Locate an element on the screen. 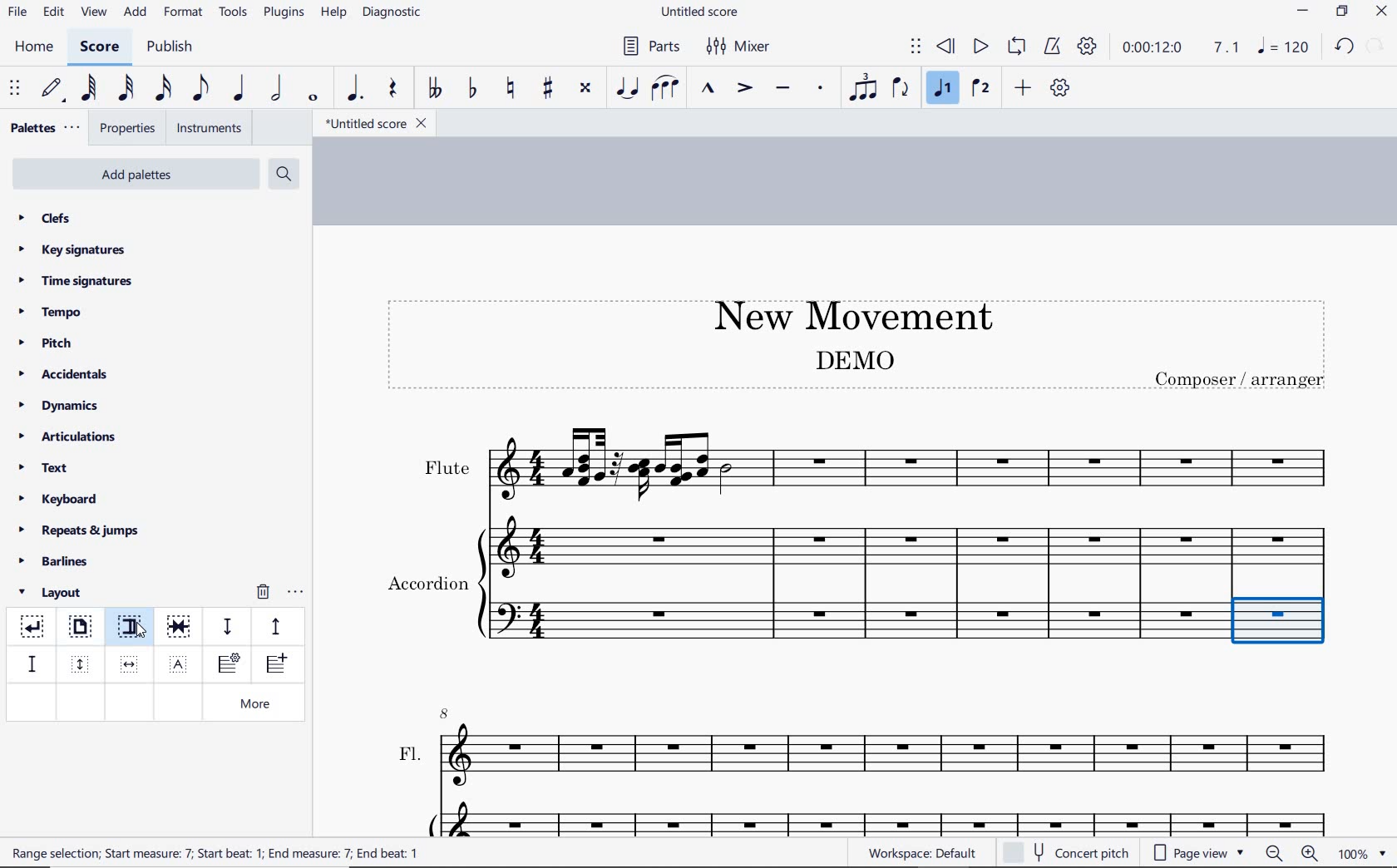 This screenshot has height=868, width=1397. pitch is located at coordinates (52, 343).